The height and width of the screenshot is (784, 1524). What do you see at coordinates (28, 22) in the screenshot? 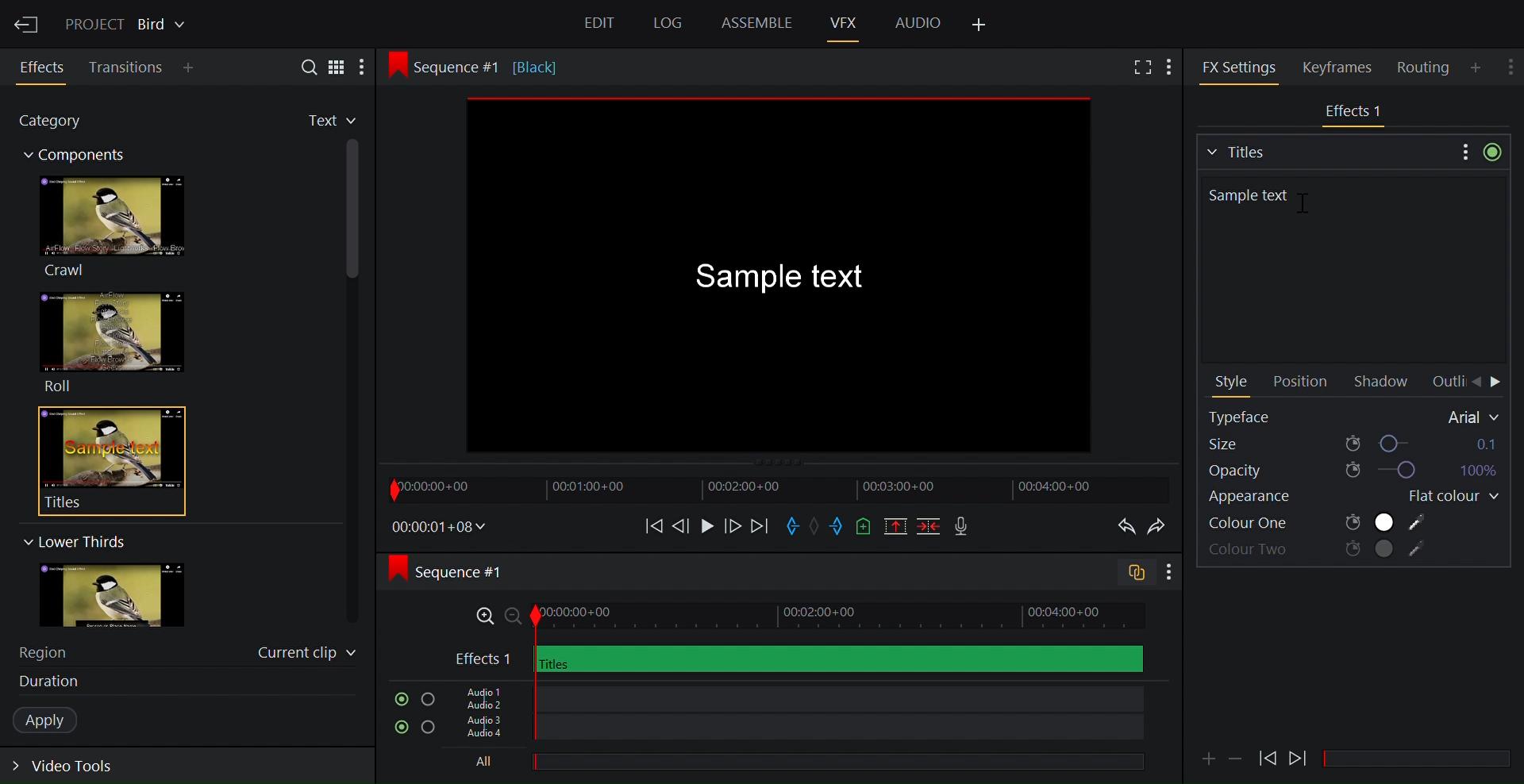
I see `Exit Current Project` at bounding box center [28, 22].